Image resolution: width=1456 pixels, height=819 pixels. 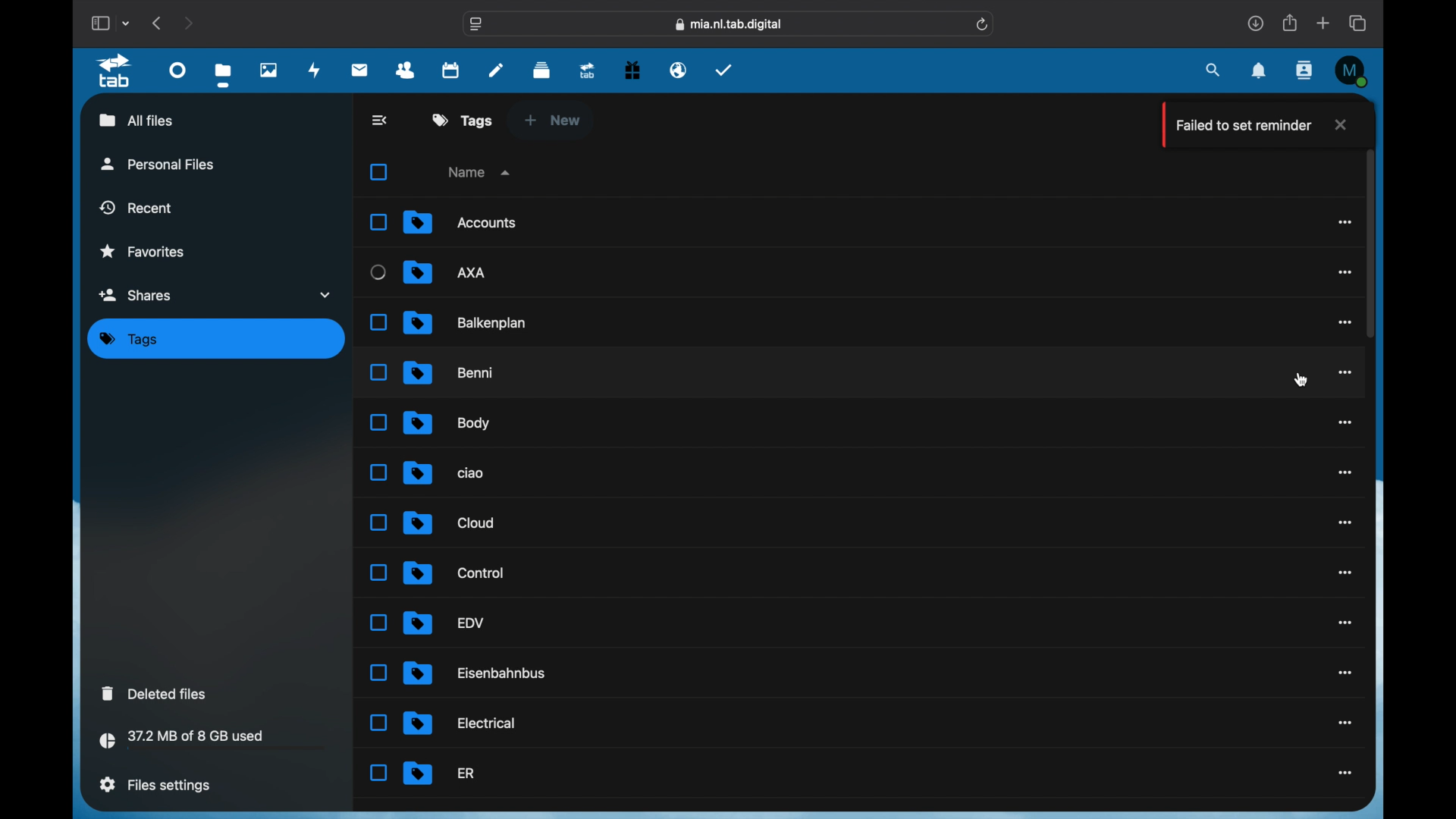 What do you see at coordinates (381, 120) in the screenshot?
I see `back` at bounding box center [381, 120].